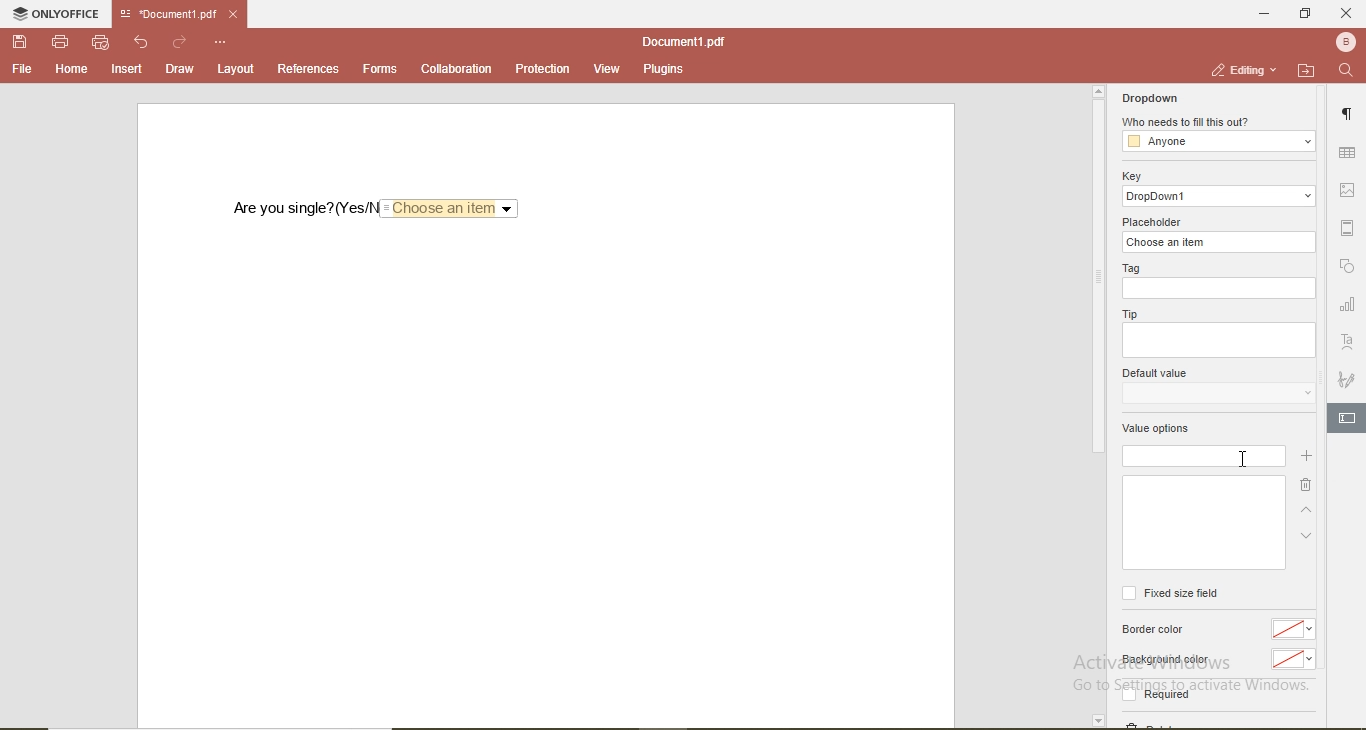  I want to click on dropdown, so click(1217, 393).